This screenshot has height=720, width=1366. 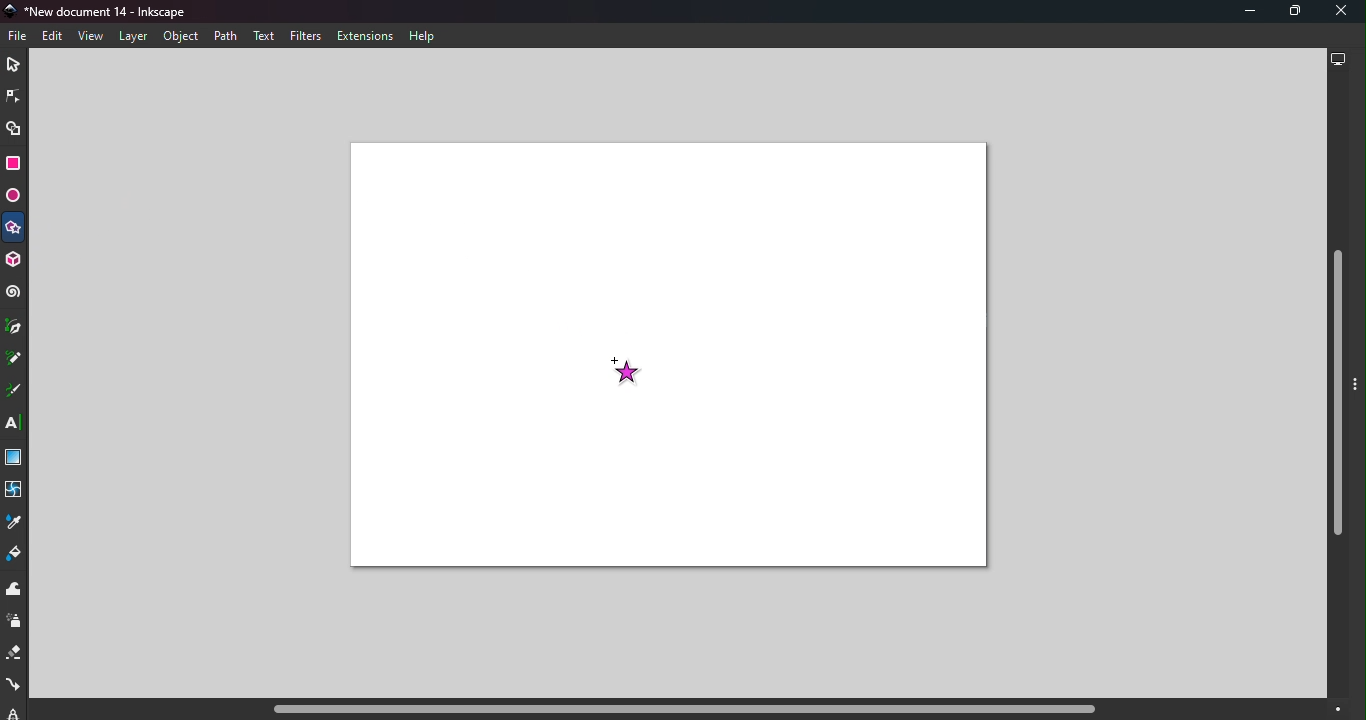 I want to click on Mesh tool, so click(x=16, y=495).